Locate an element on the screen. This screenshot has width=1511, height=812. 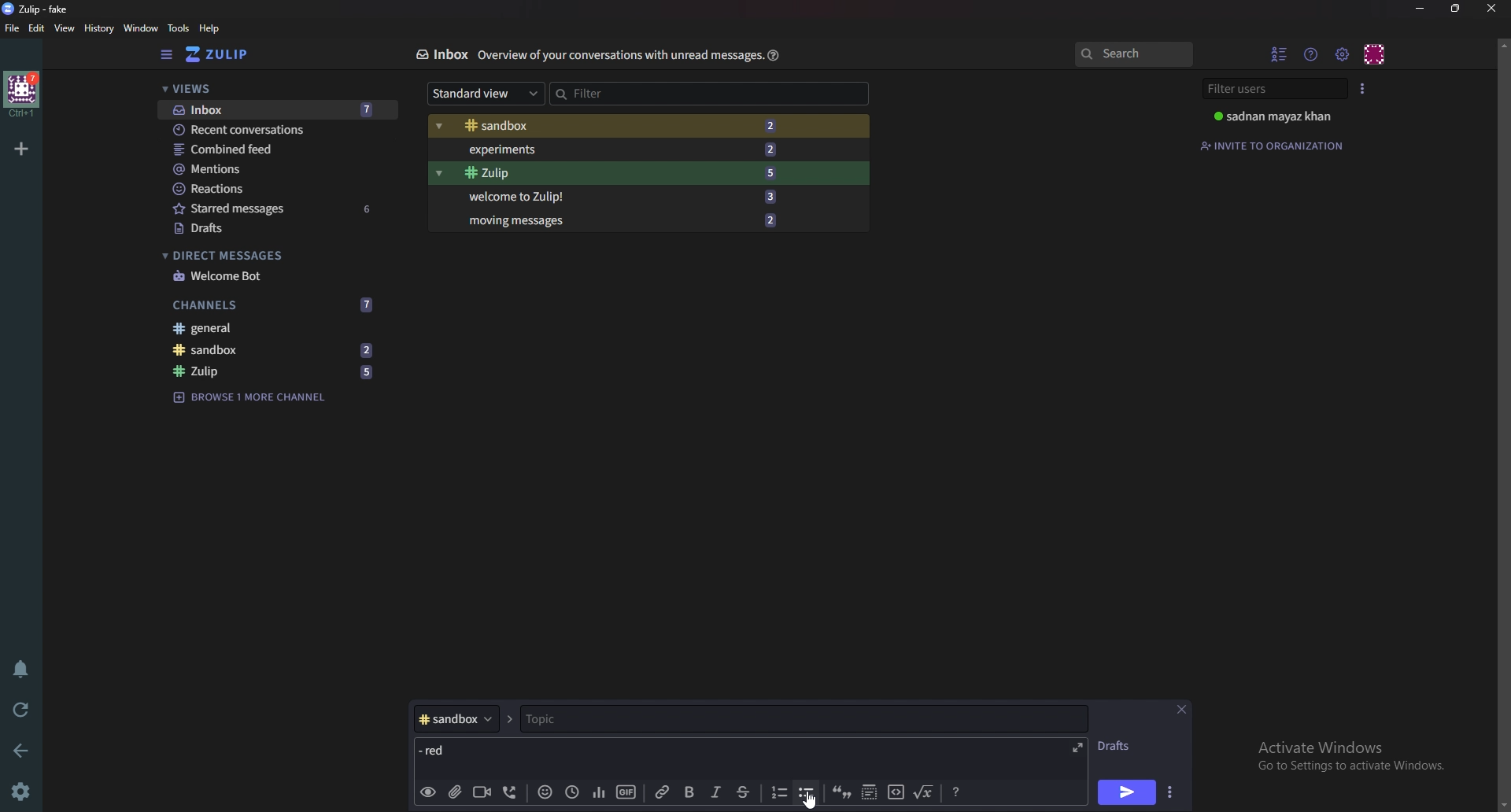
Back is located at coordinates (24, 749).